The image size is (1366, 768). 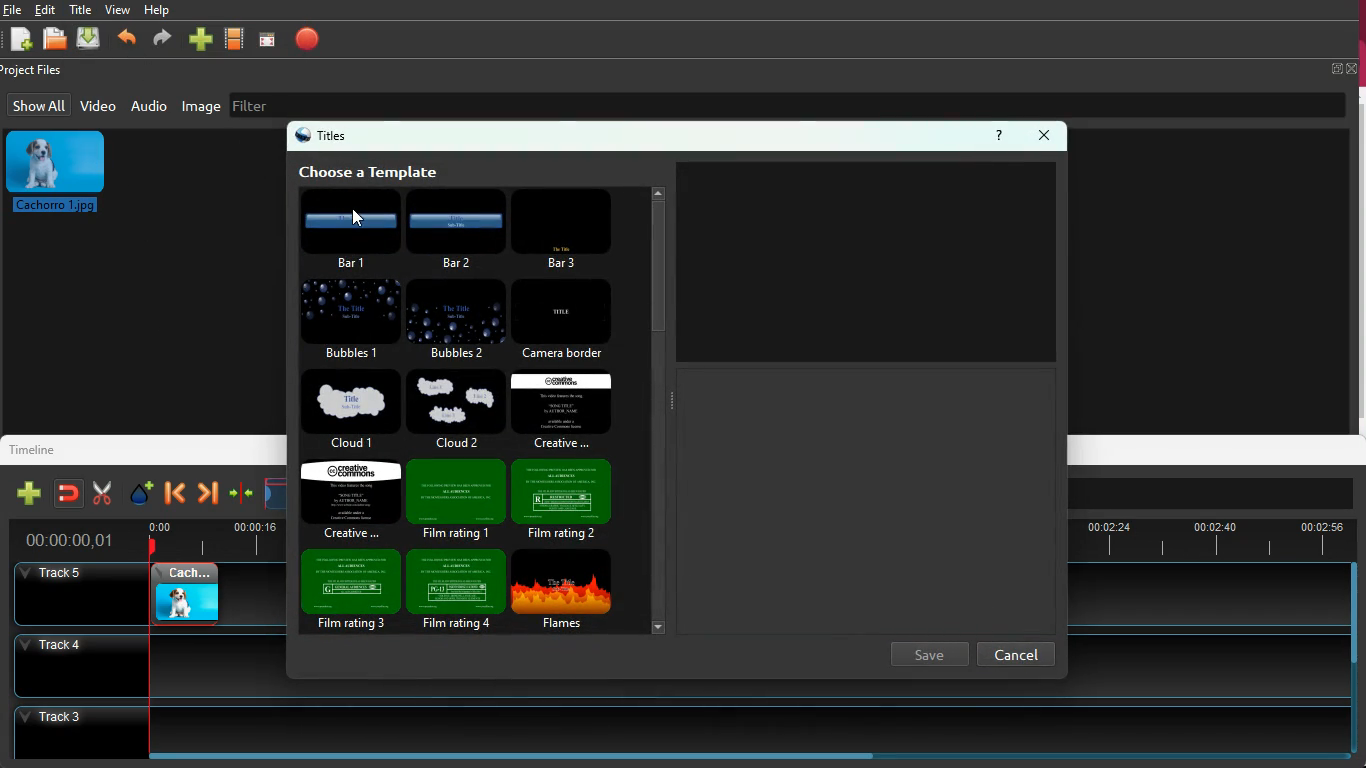 I want to click on file, so click(x=58, y=41).